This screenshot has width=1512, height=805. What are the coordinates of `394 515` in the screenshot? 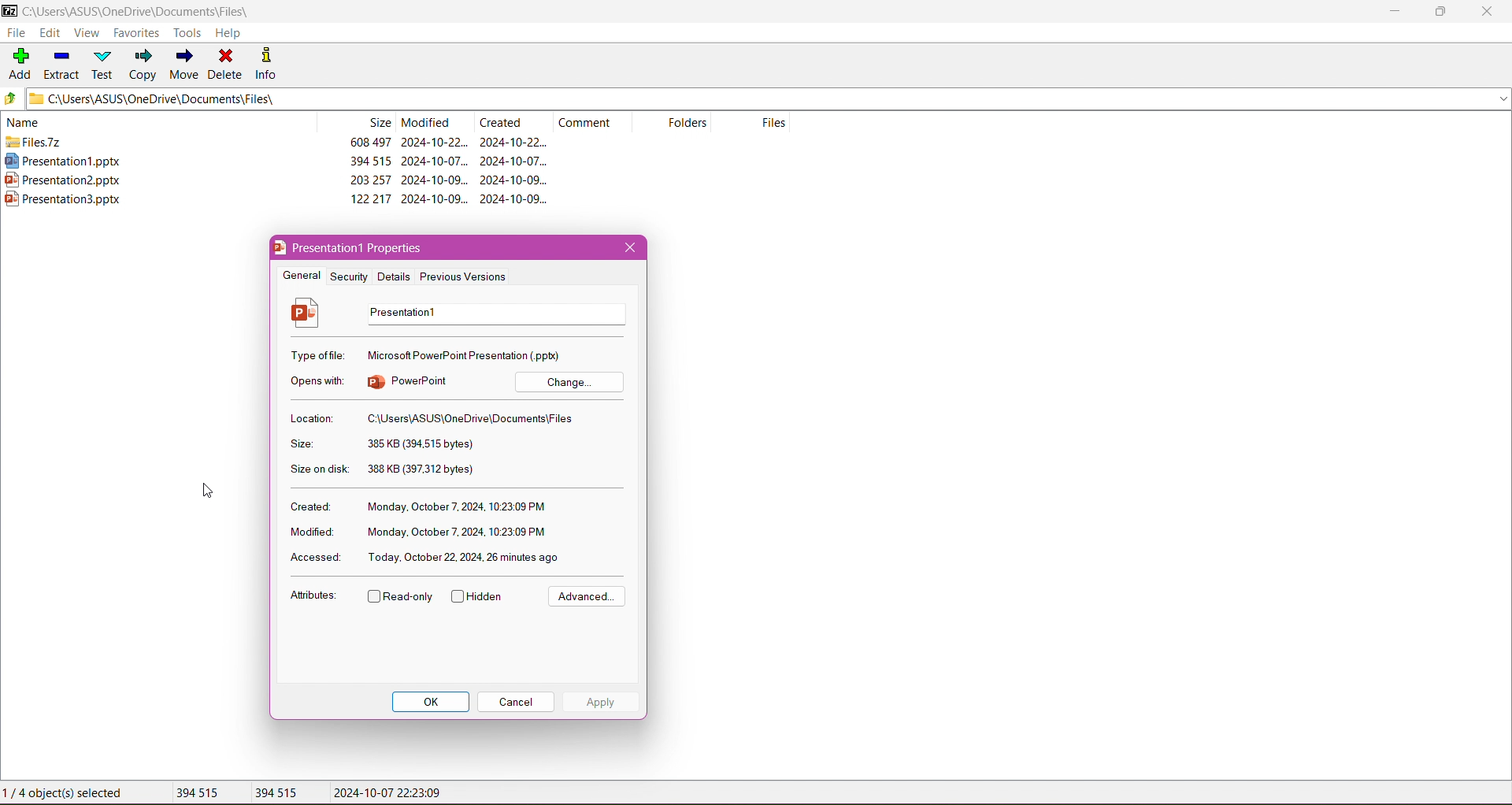 It's located at (371, 161).